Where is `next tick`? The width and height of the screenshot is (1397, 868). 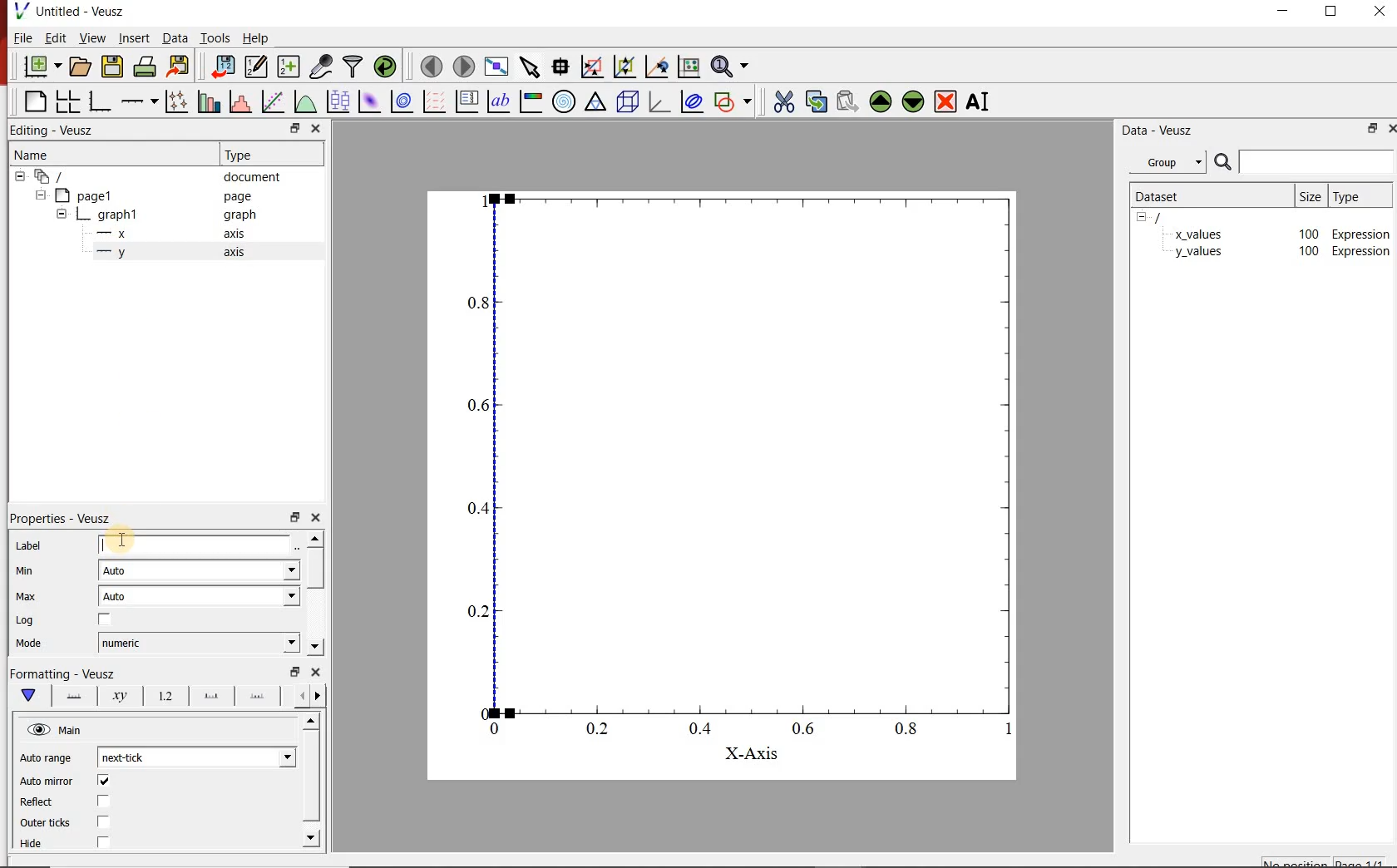 next tick is located at coordinates (197, 757).